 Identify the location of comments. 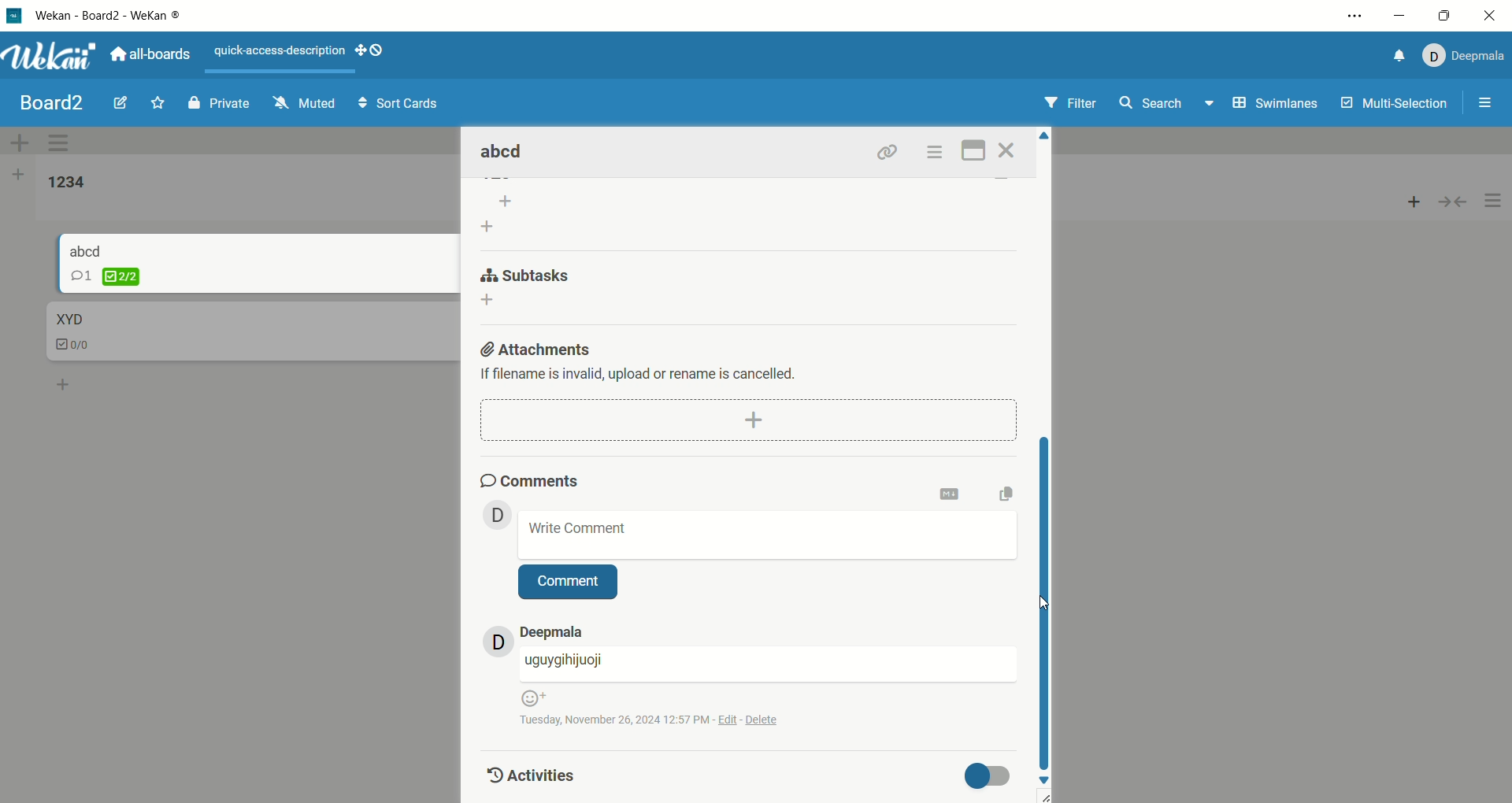
(532, 479).